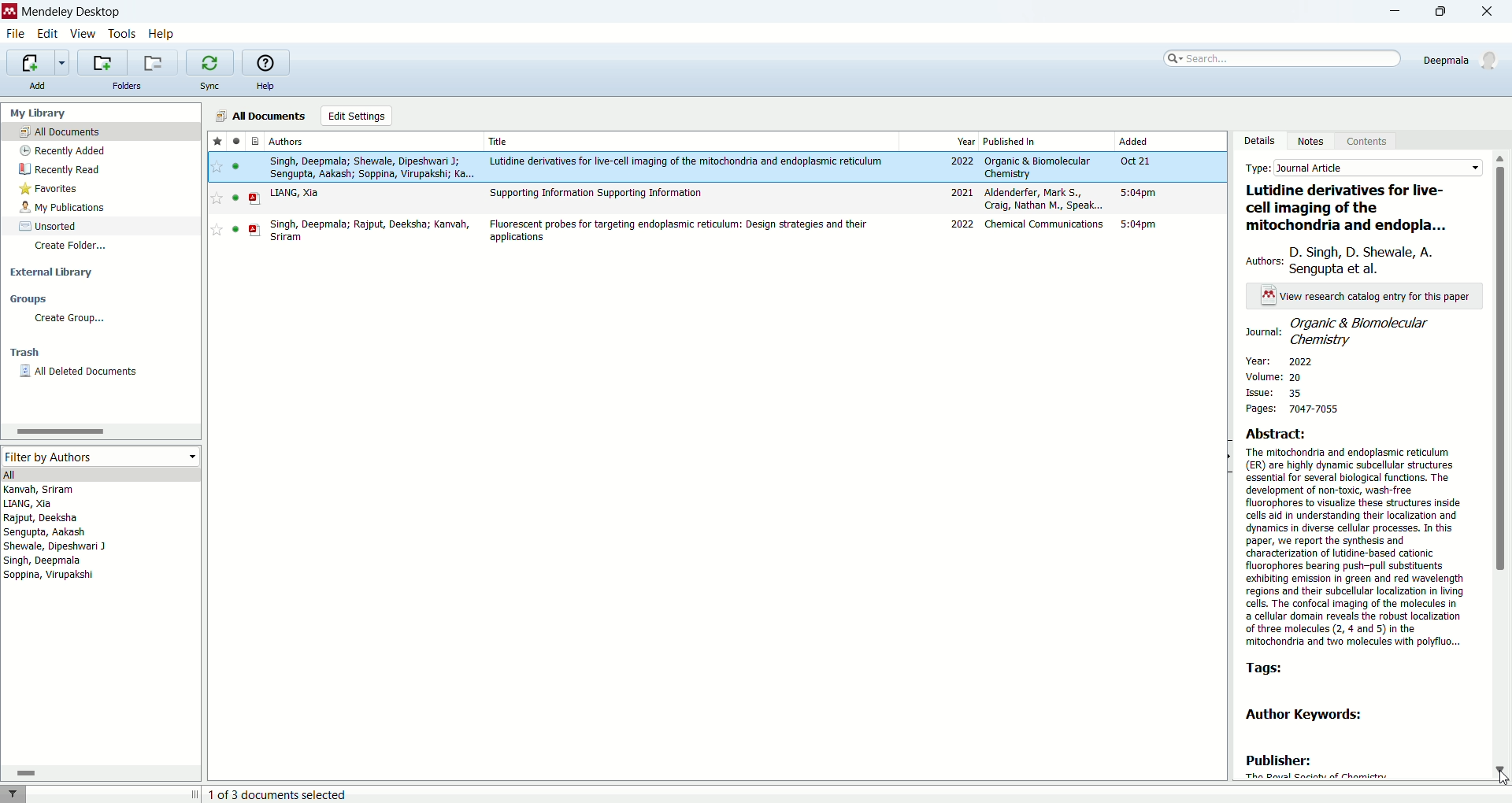  Describe the element at coordinates (358, 116) in the screenshot. I see `edit settings` at that location.